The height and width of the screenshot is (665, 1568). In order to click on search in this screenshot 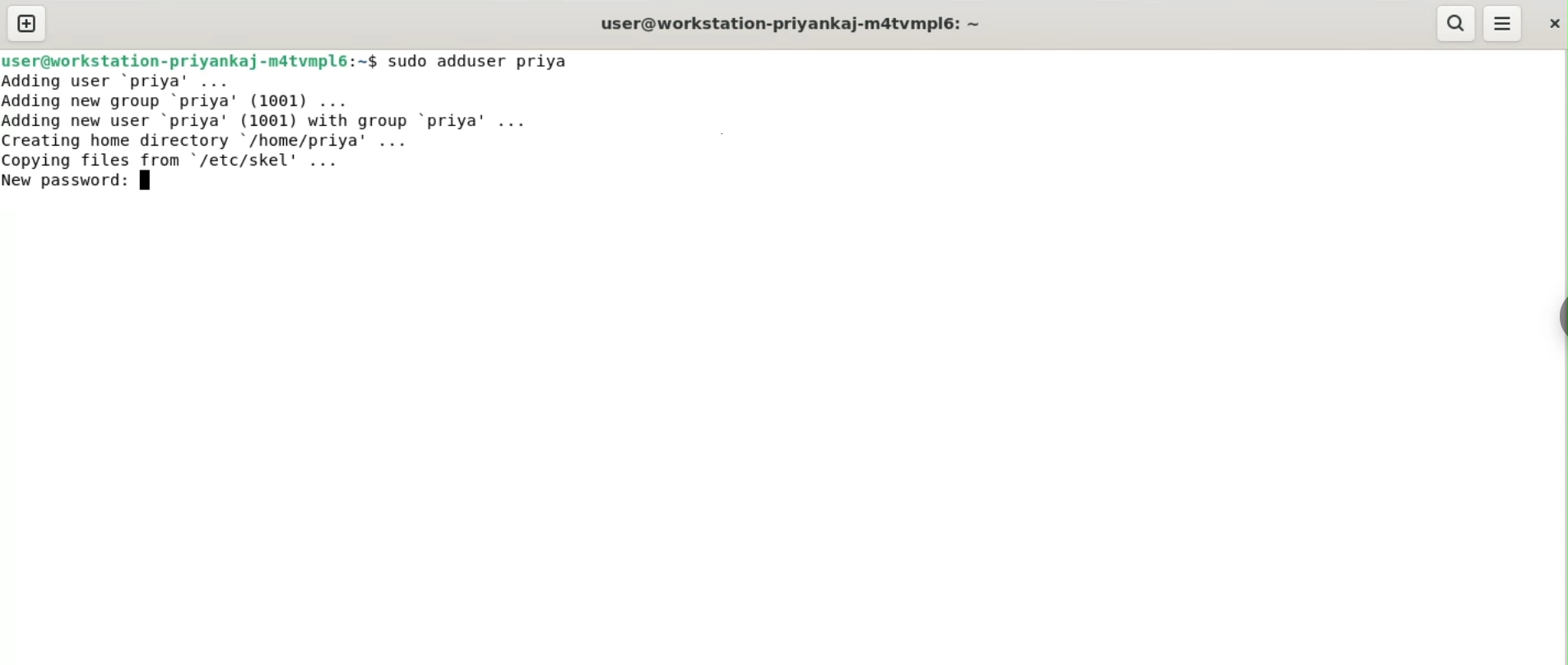, I will do `click(1454, 23)`.